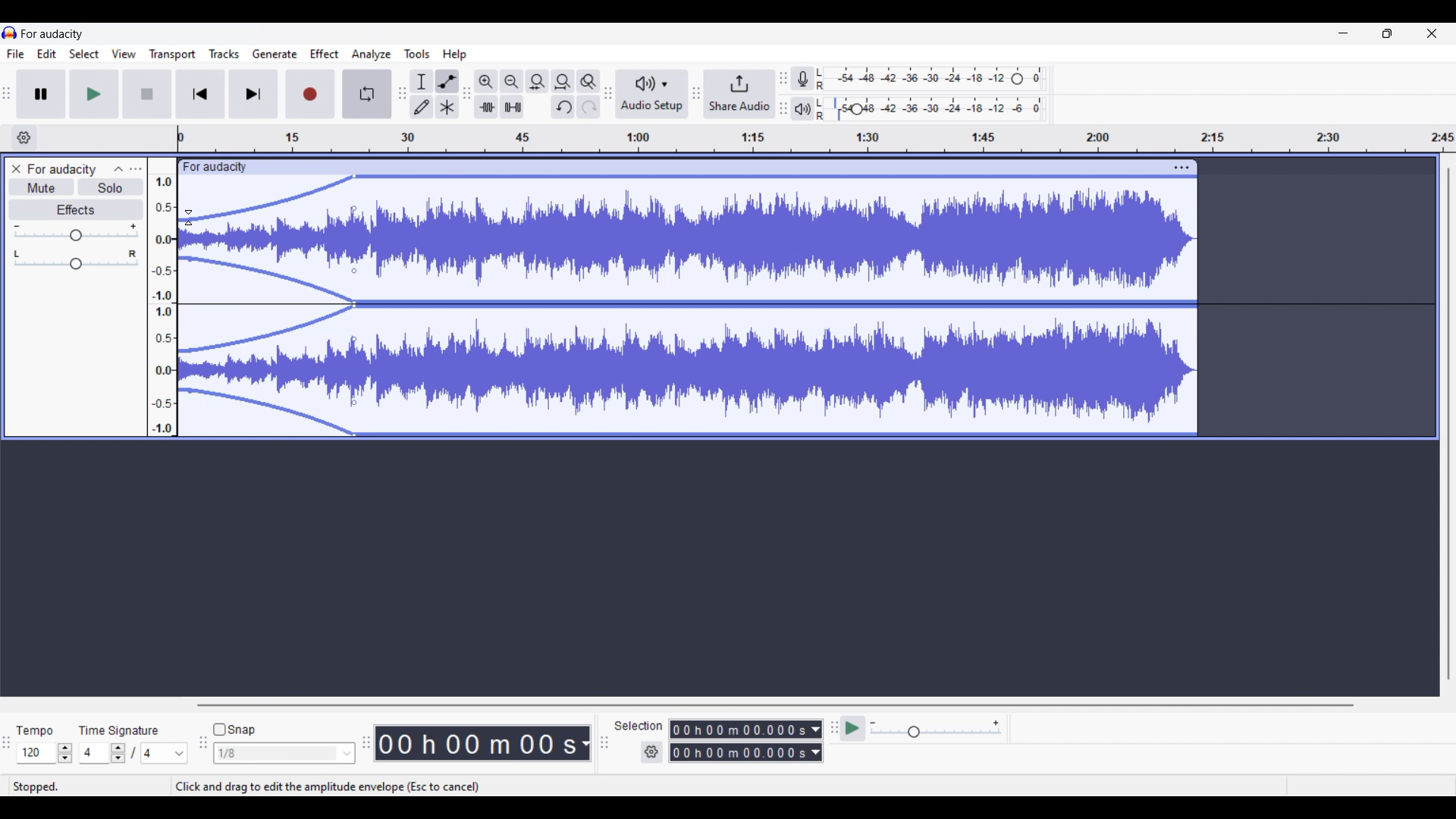 This screenshot has width=1456, height=819. Describe the element at coordinates (416, 54) in the screenshot. I see `Tools` at that location.